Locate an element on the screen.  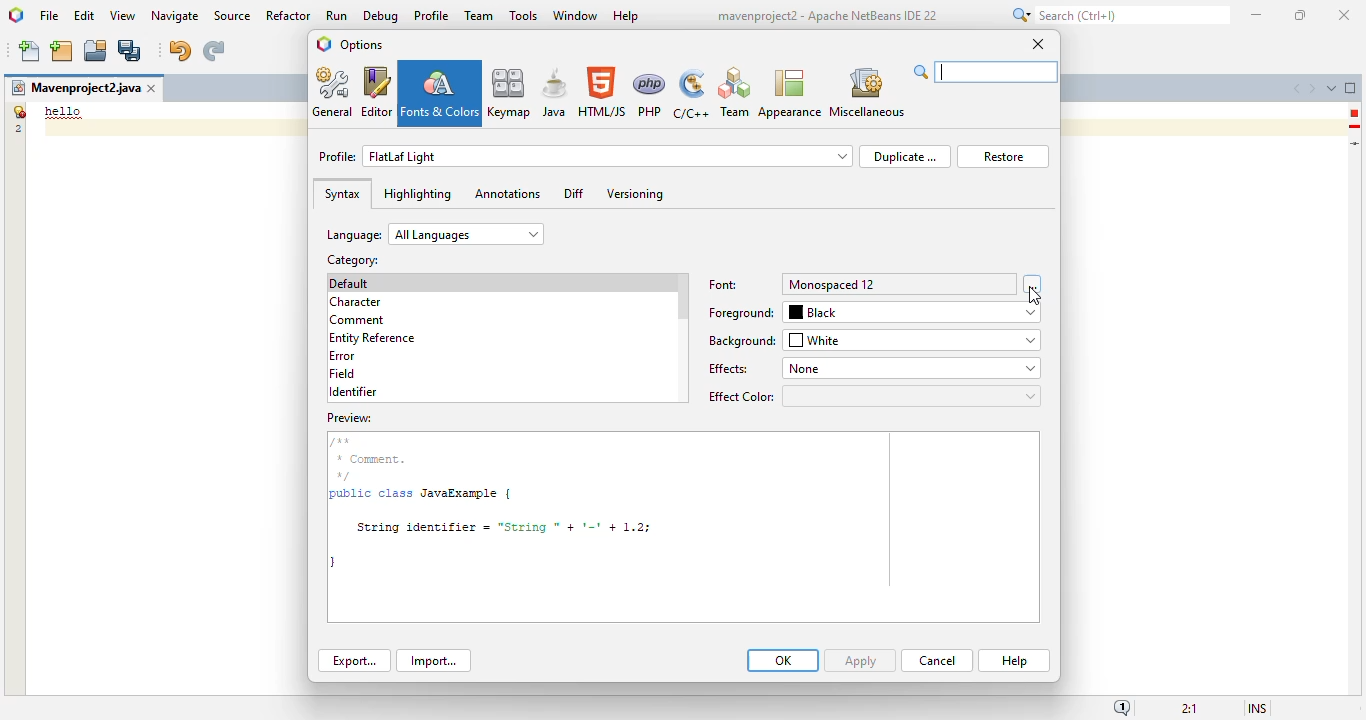
effect color:  is located at coordinates (873, 396).